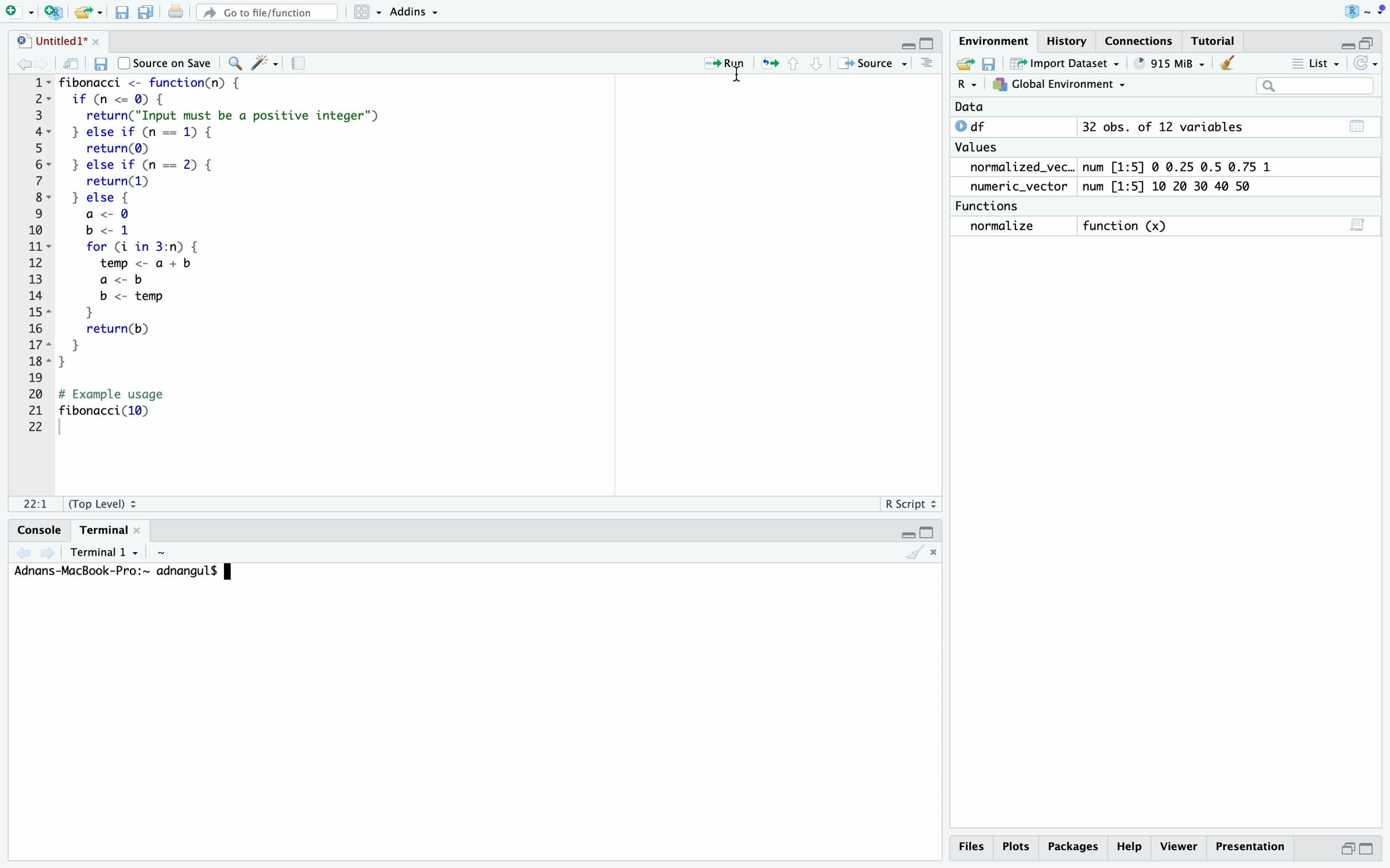 The height and width of the screenshot is (868, 1390). What do you see at coordinates (1062, 86) in the screenshot?
I see `global environment` at bounding box center [1062, 86].